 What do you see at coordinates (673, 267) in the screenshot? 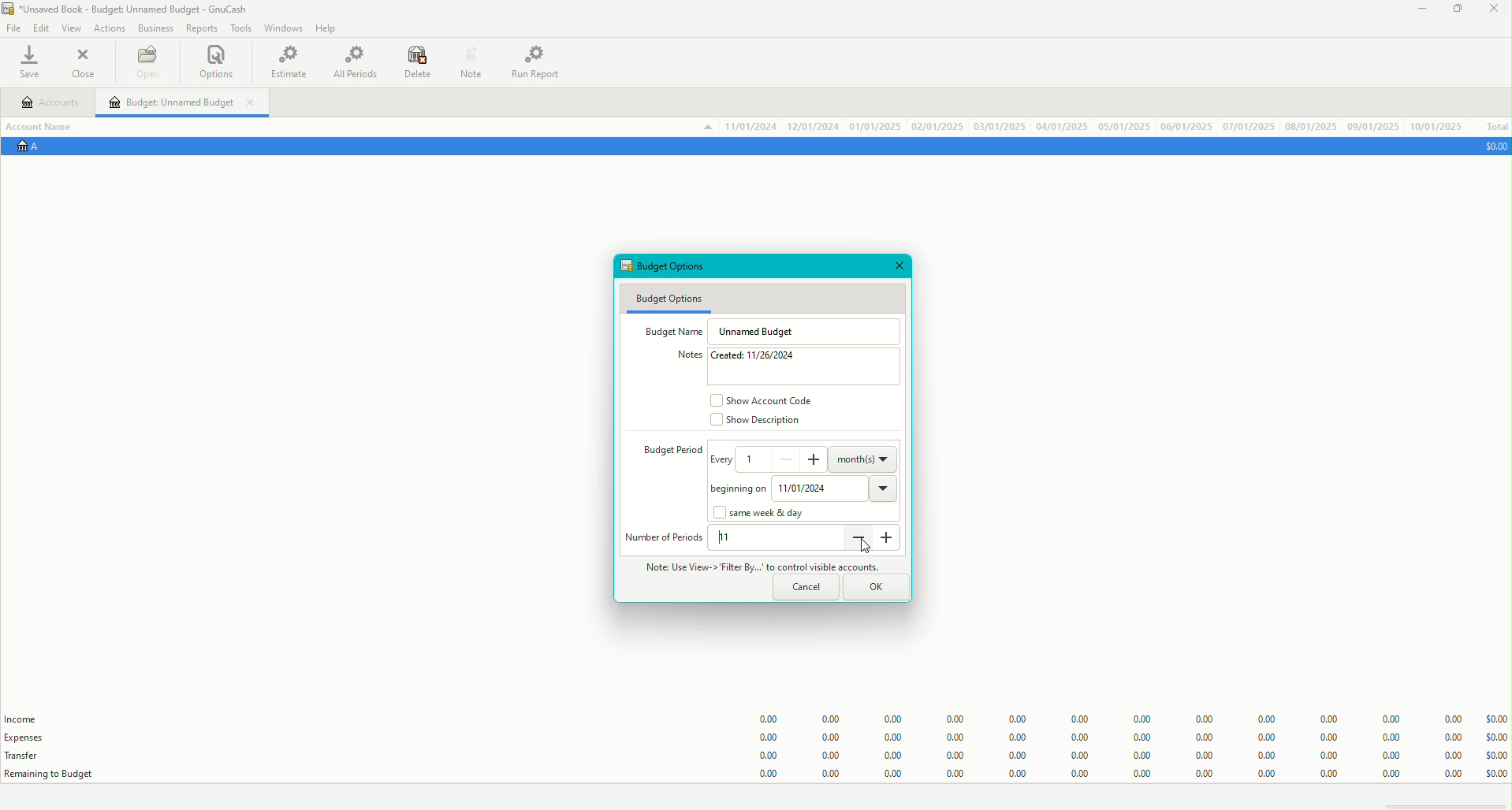
I see `Budget Options` at bounding box center [673, 267].